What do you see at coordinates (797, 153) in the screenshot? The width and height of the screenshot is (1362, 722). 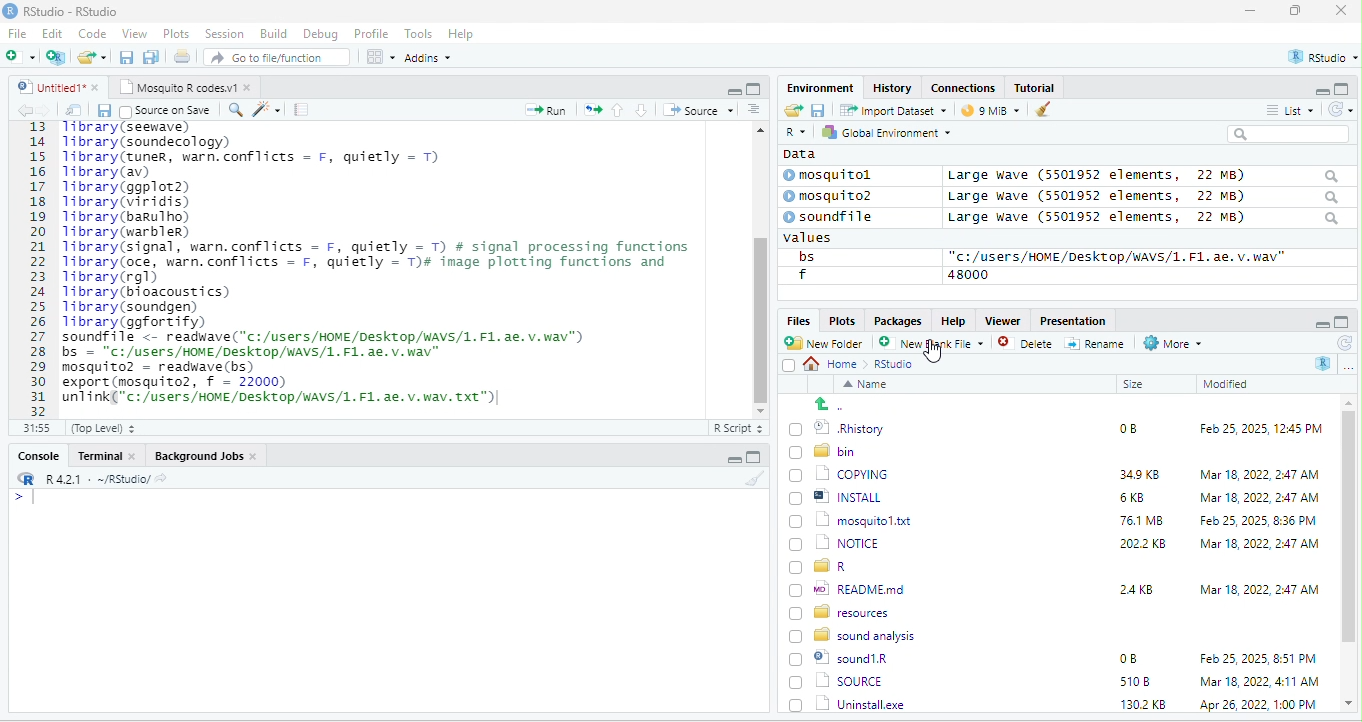 I see `data` at bounding box center [797, 153].